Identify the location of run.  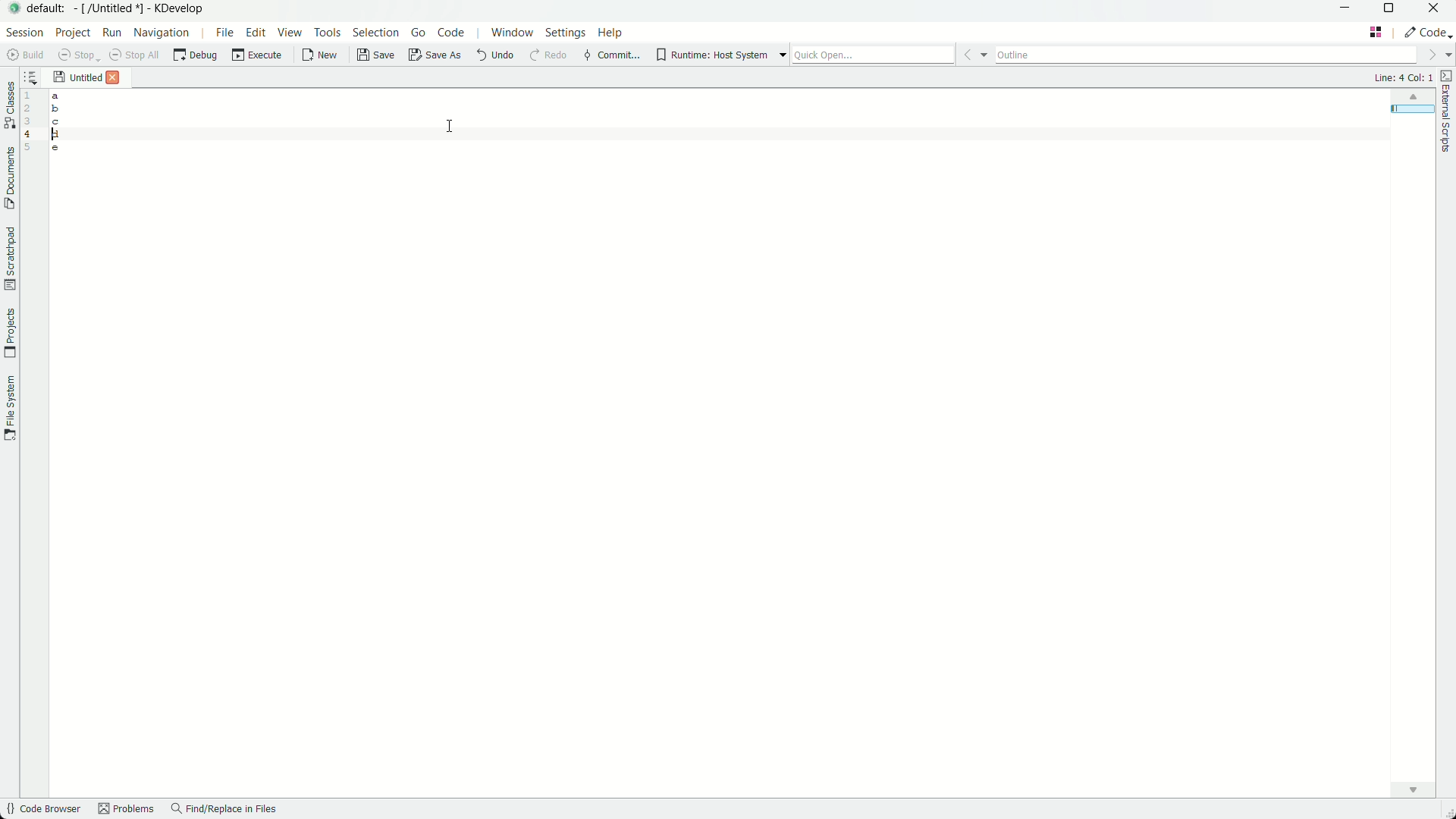
(111, 33).